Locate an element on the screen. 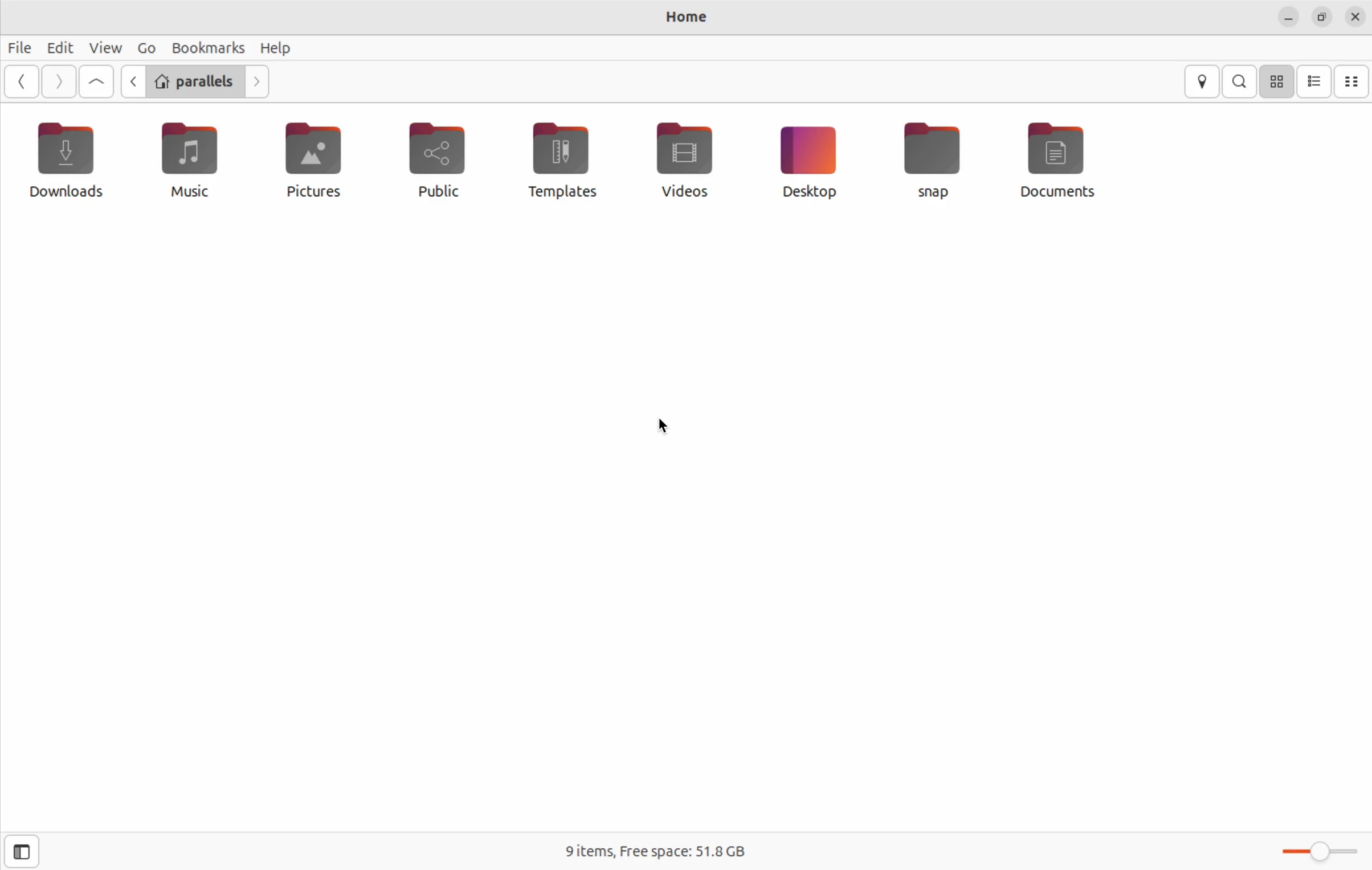 The height and width of the screenshot is (870, 1372). minimize is located at coordinates (1289, 18).